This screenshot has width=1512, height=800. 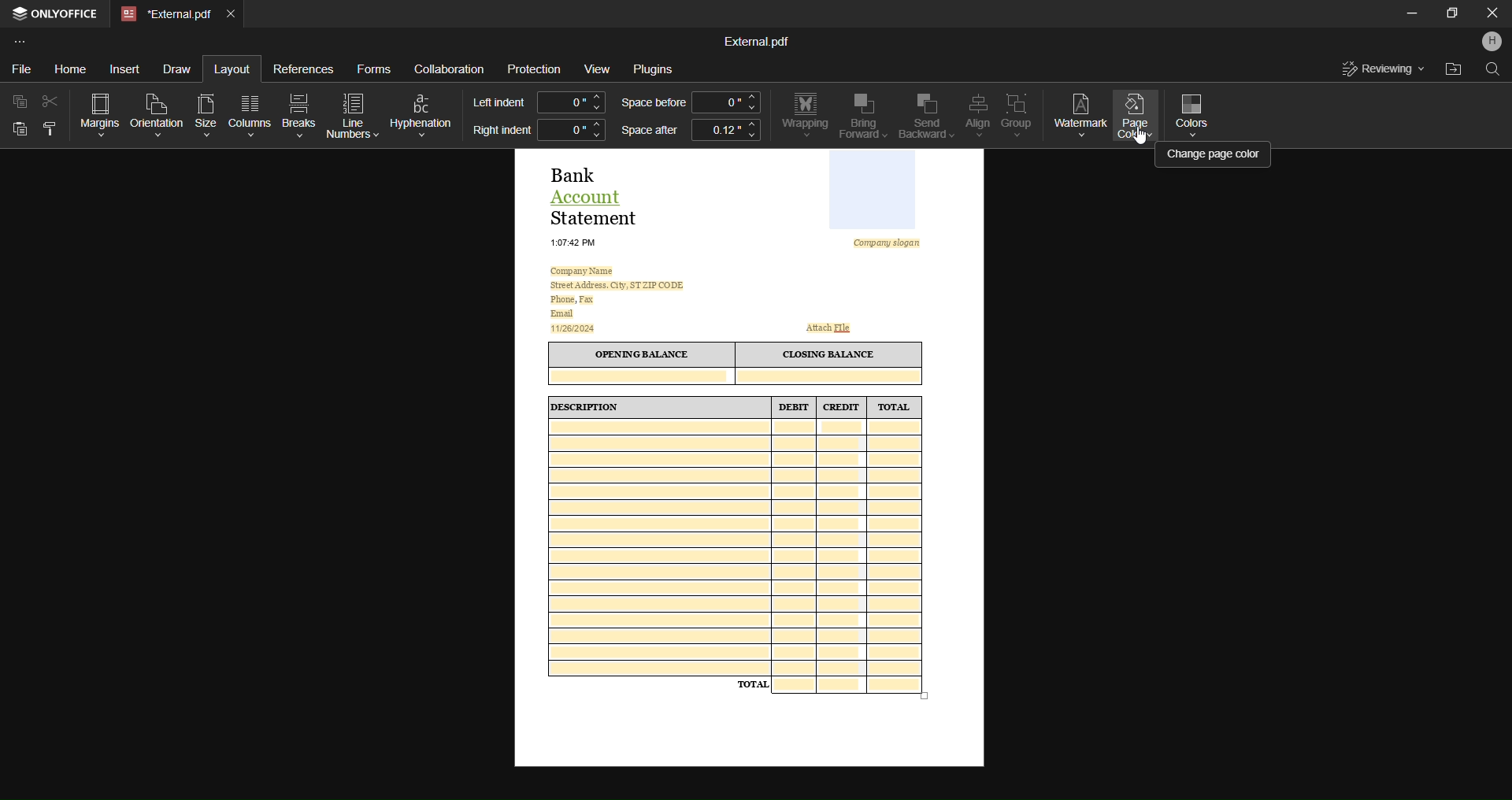 I want to click on Forms, so click(x=373, y=67).